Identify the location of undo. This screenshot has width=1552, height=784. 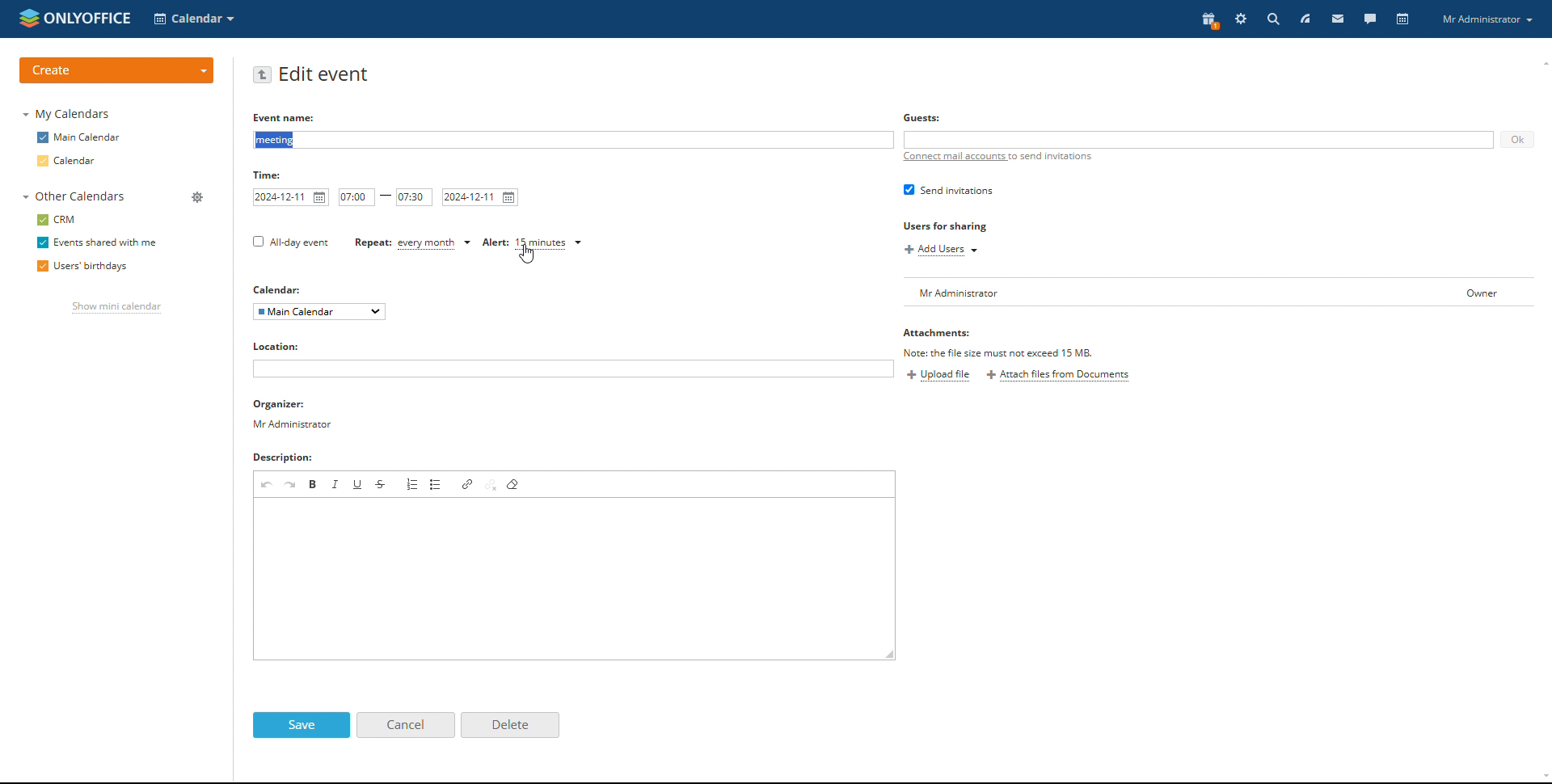
(266, 483).